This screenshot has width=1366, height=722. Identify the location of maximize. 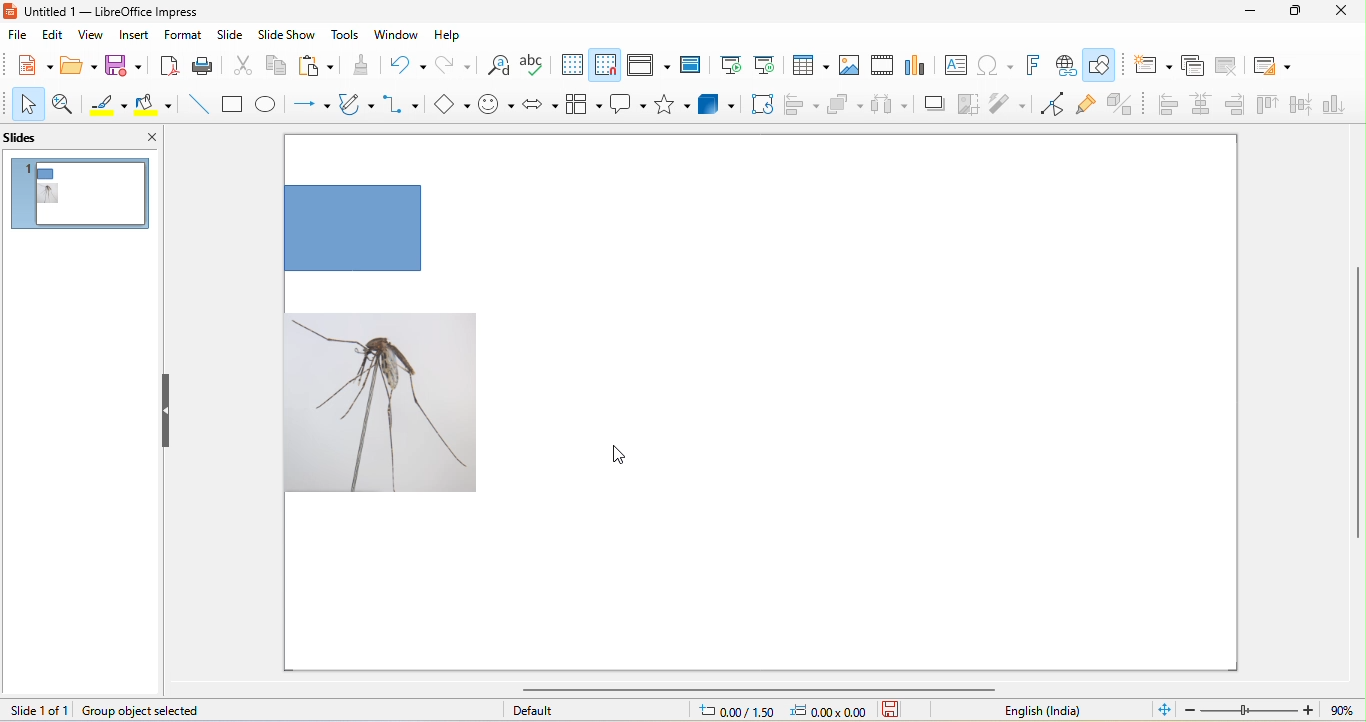
(1294, 12).